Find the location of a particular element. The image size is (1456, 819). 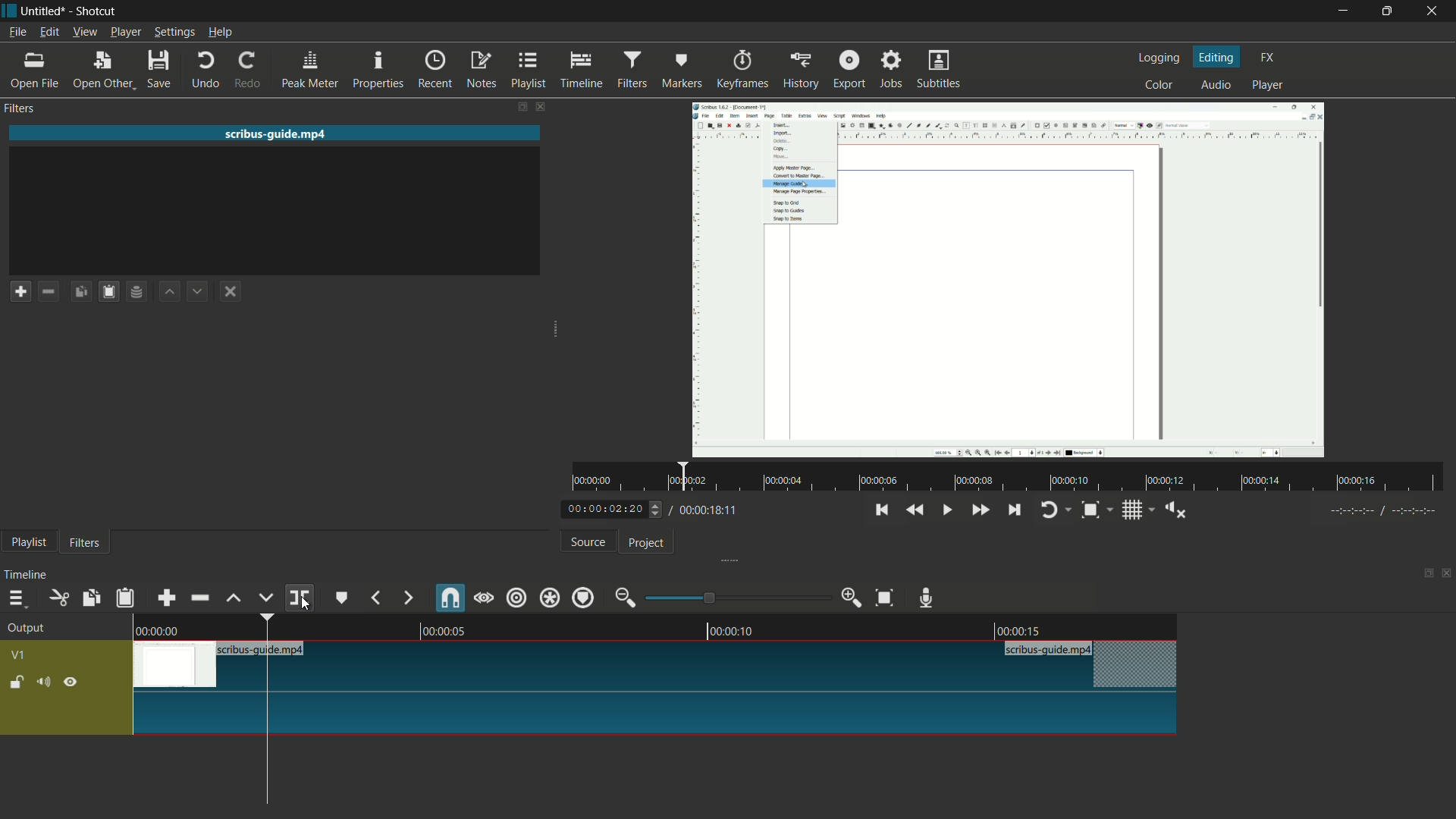

toggle grid is located at coordinates (1134, 510).